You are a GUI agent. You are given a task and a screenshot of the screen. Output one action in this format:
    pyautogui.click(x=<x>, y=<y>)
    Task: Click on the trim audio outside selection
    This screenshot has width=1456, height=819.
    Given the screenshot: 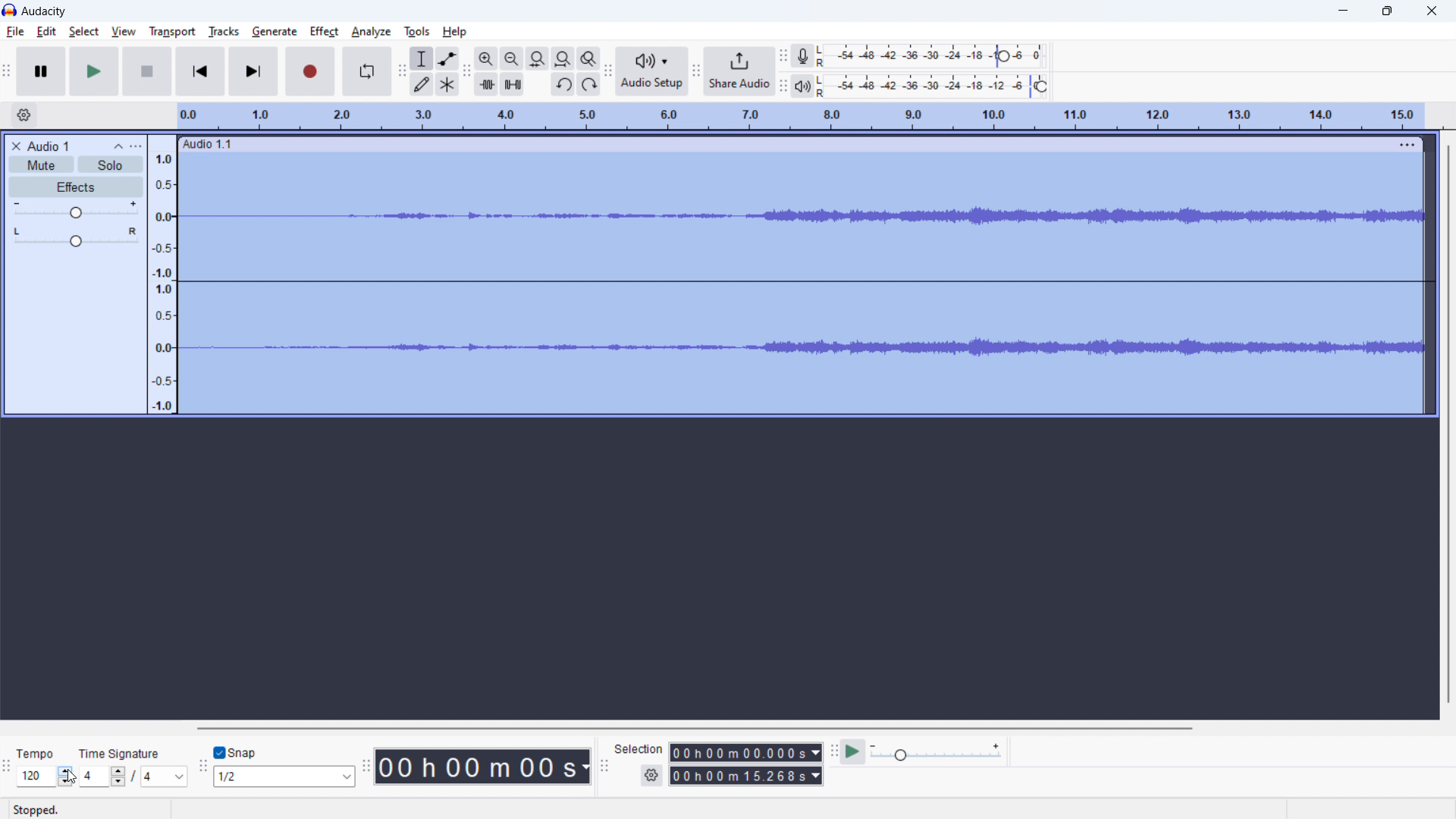 What is the action you would take?
    pyautogui.click(x=486, y=83)
    